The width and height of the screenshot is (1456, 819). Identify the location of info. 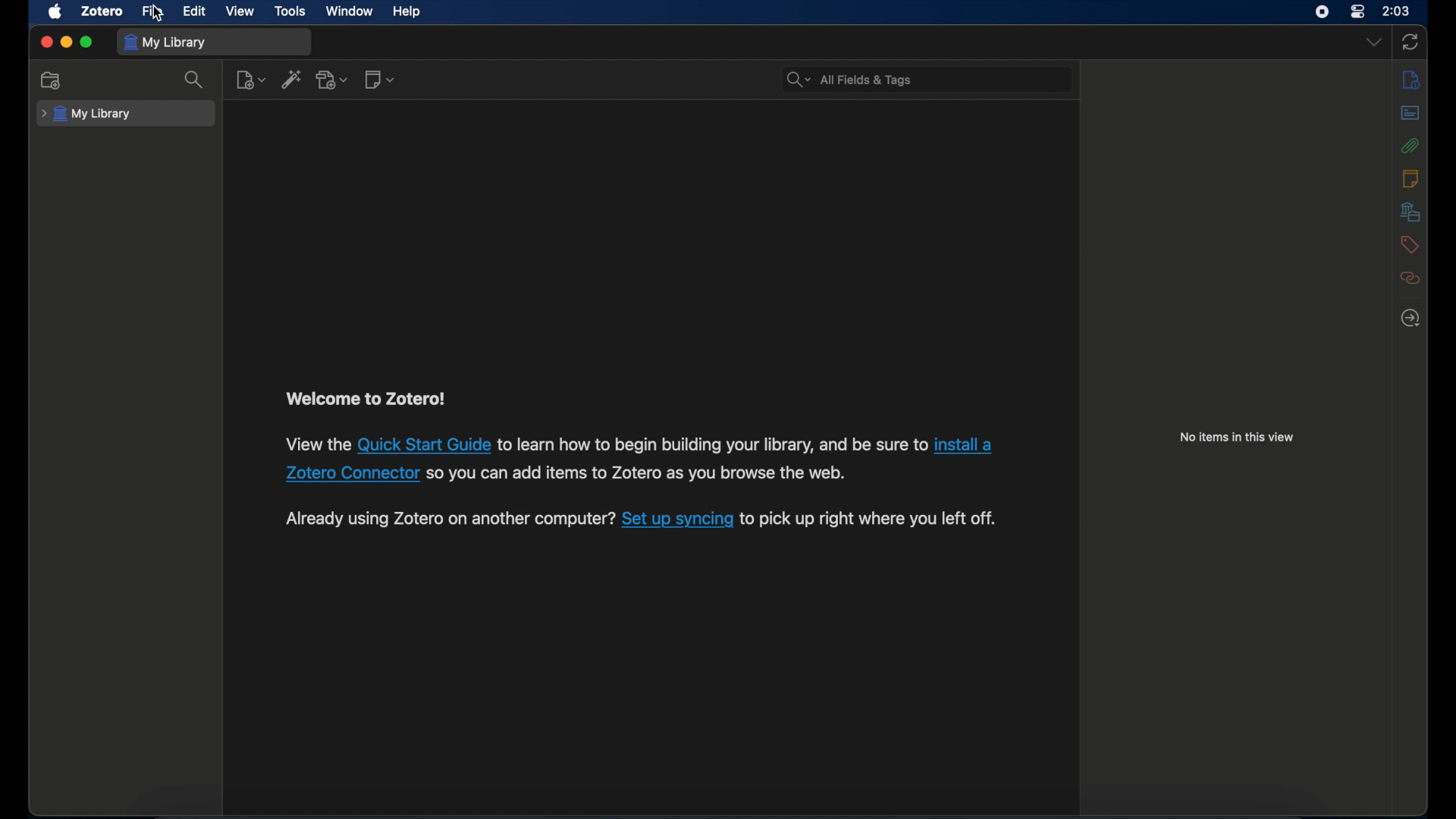
(1410, 80).